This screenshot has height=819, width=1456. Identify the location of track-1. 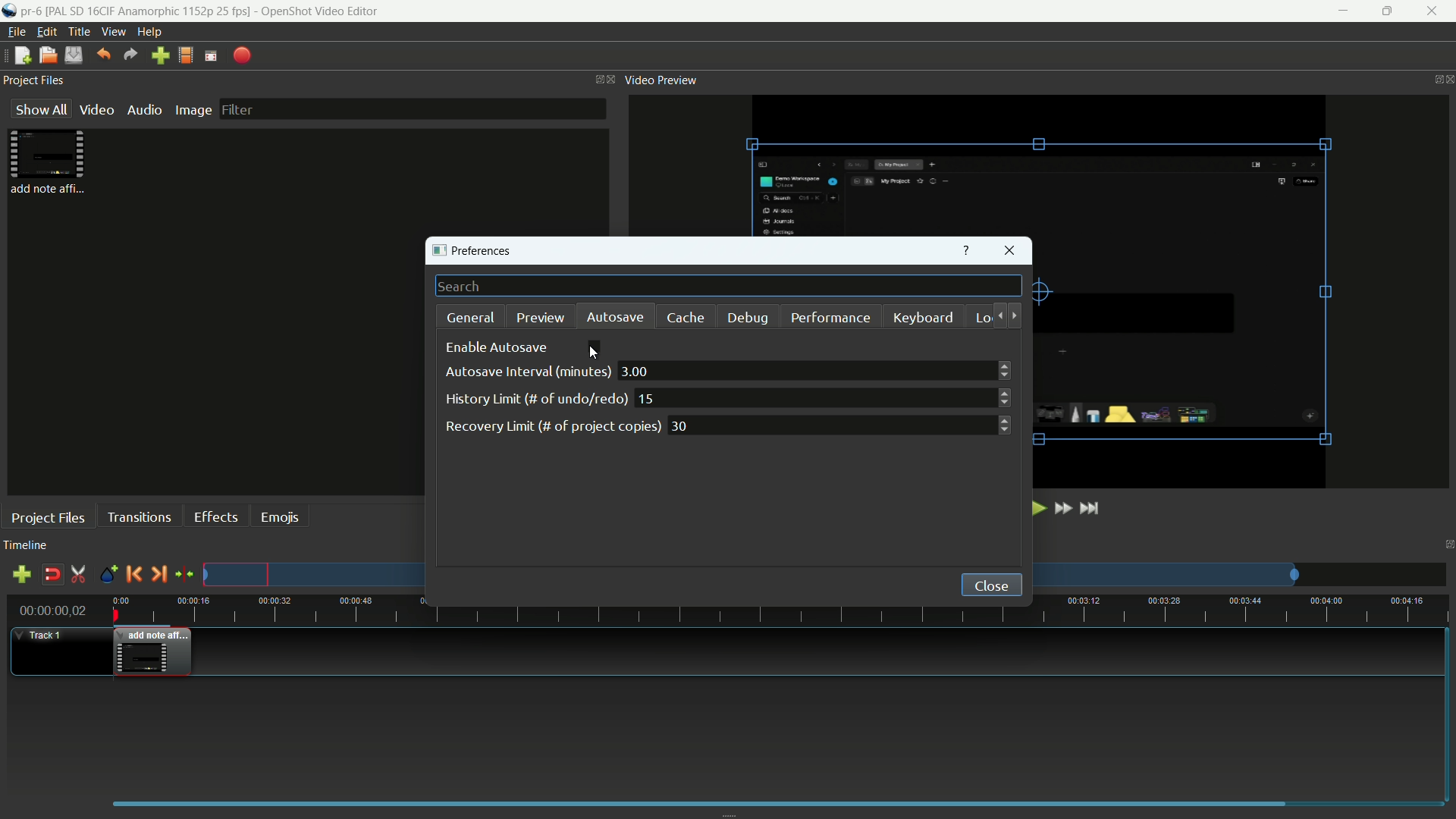
(48, 635).